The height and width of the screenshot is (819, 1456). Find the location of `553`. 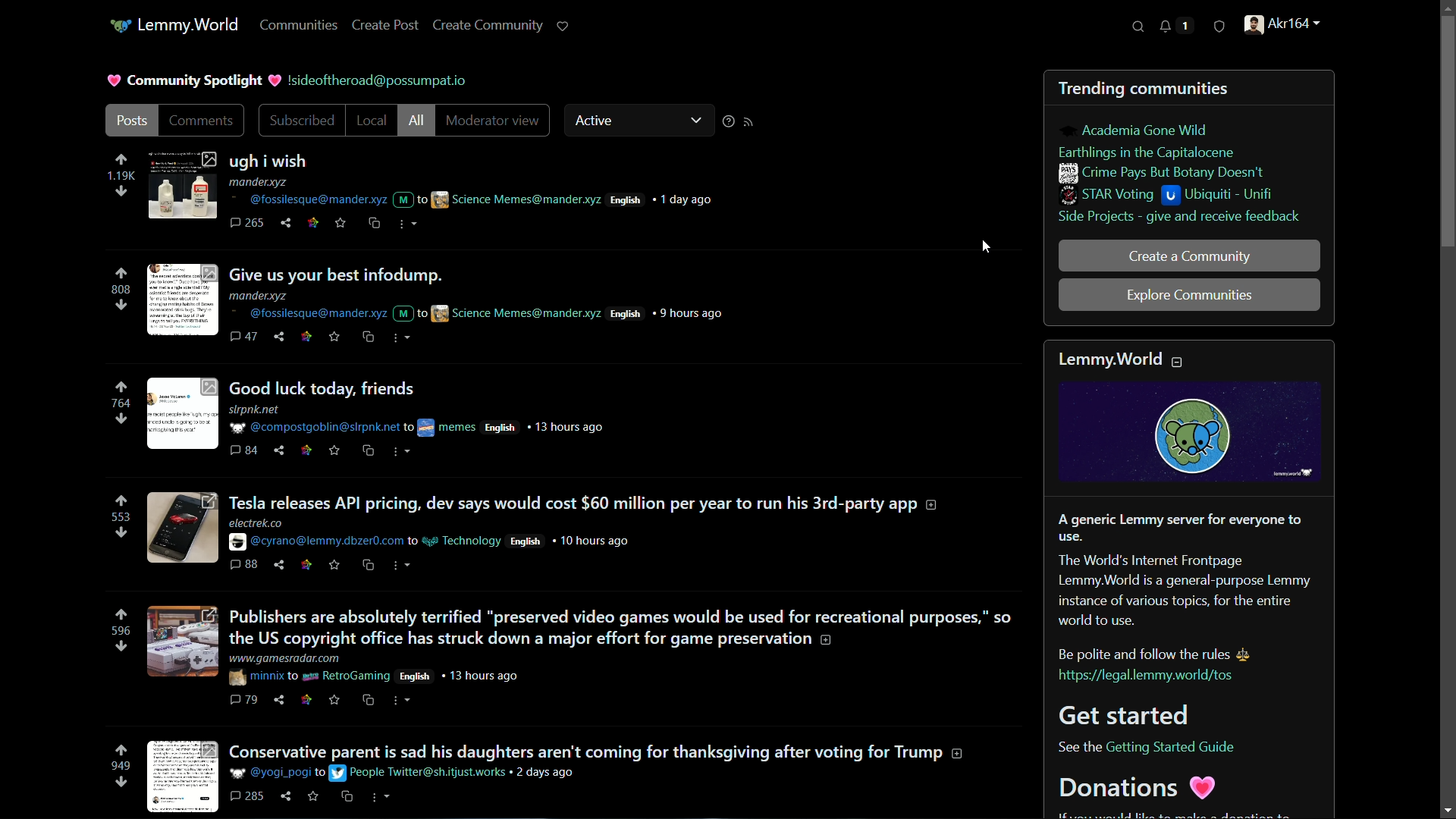

553 is located at coordinates (118, 517).